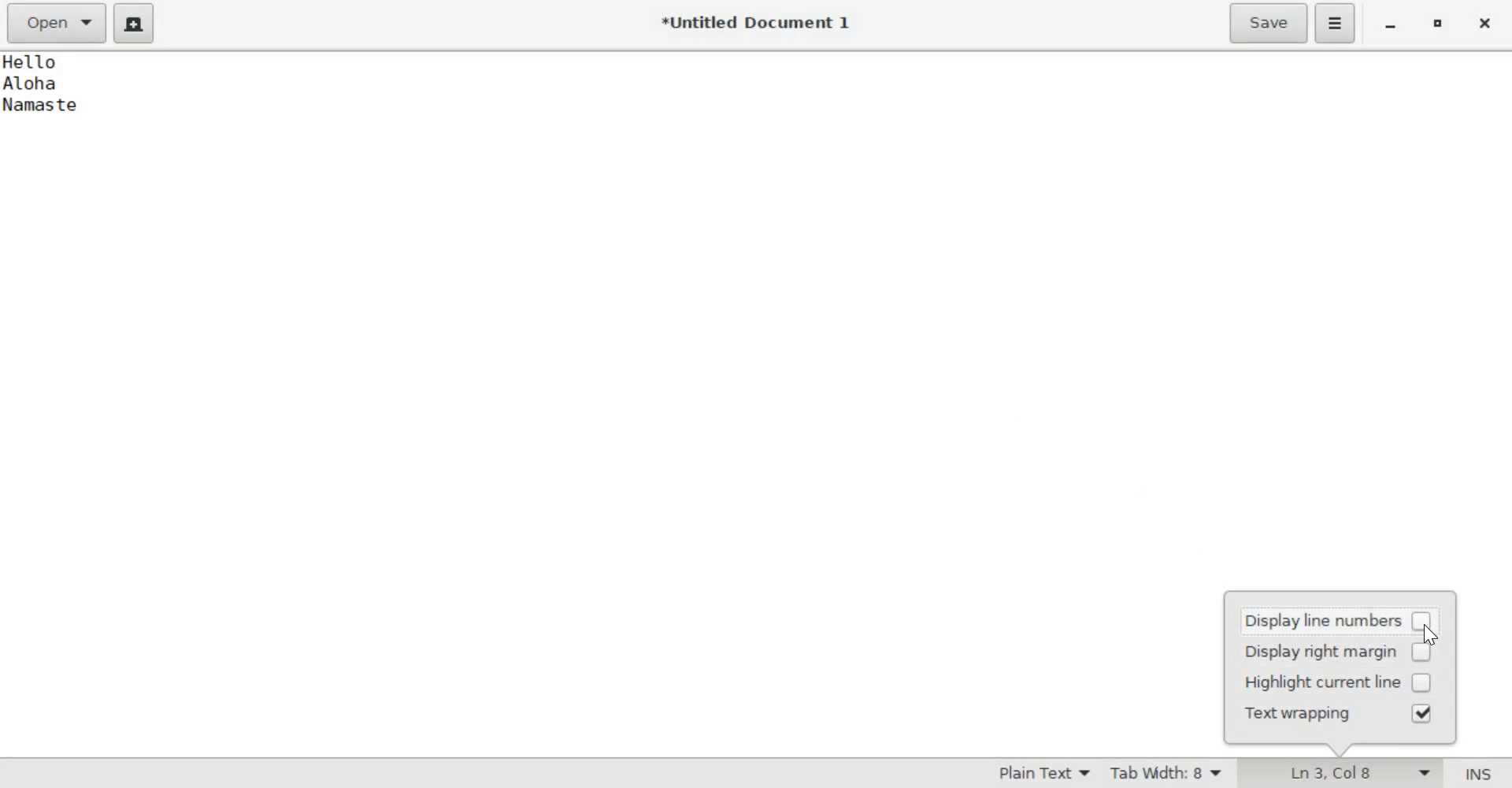 The width and height of the screenshot is (1512, 788). What do you see at coordinates (1316, 652) in the screenshot?
I see `display right margin` at bounding box center [1316, 652].